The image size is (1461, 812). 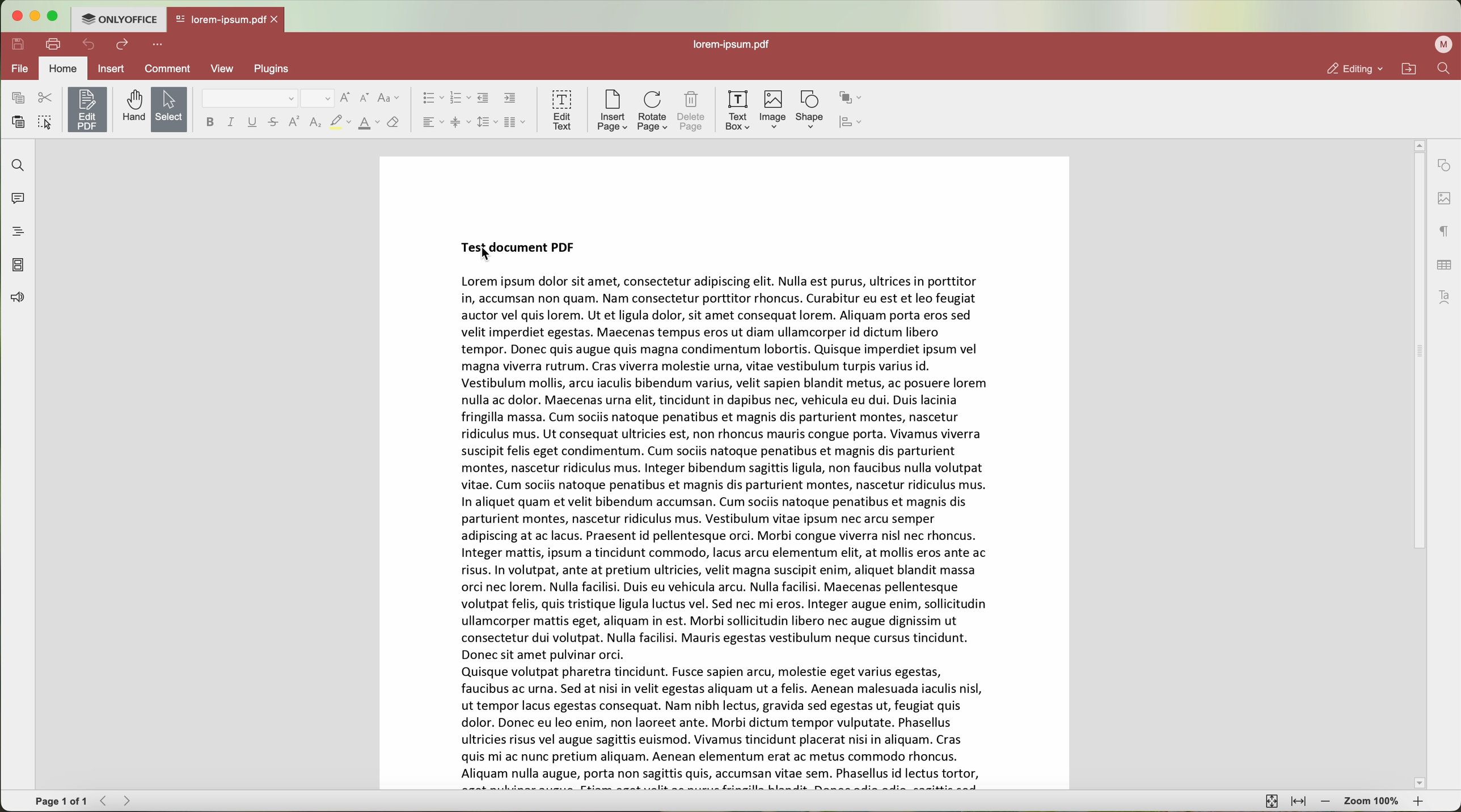 I want to click on open file, so click(x=226, y=20).